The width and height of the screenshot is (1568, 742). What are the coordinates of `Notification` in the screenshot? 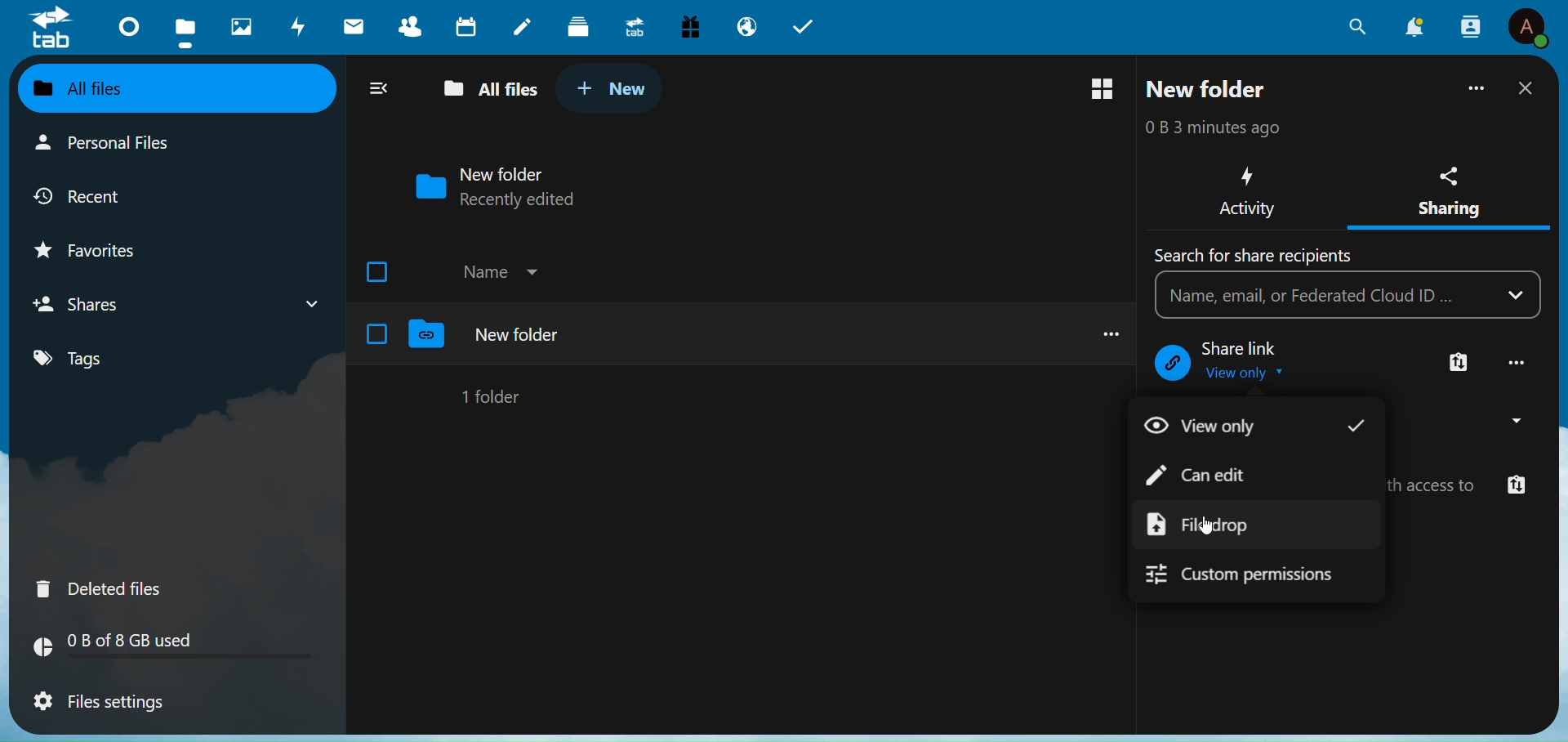 It's located at (1415, 27).